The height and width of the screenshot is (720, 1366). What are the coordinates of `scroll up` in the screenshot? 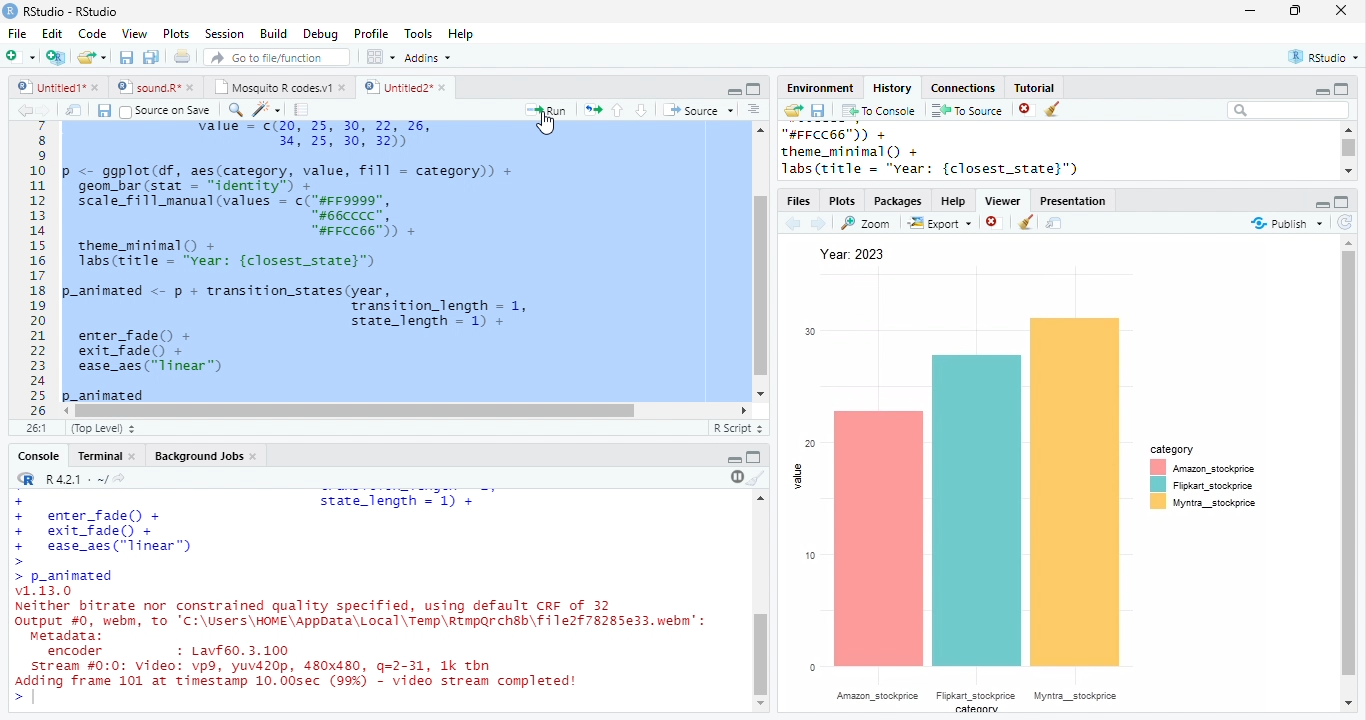 It's located at (761, 497).